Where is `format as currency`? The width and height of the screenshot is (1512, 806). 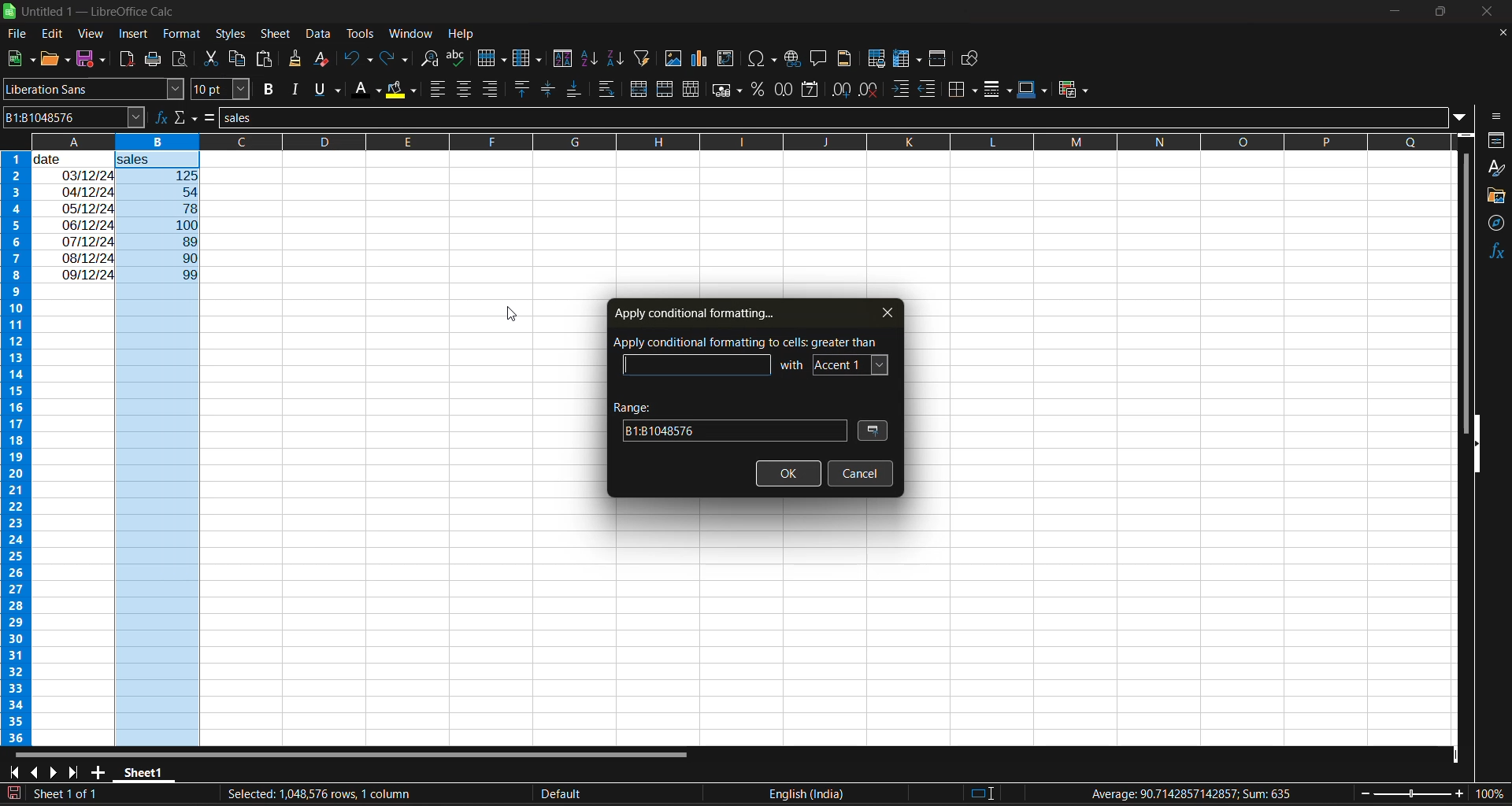
format as currency is located at coordinates (727, 93).